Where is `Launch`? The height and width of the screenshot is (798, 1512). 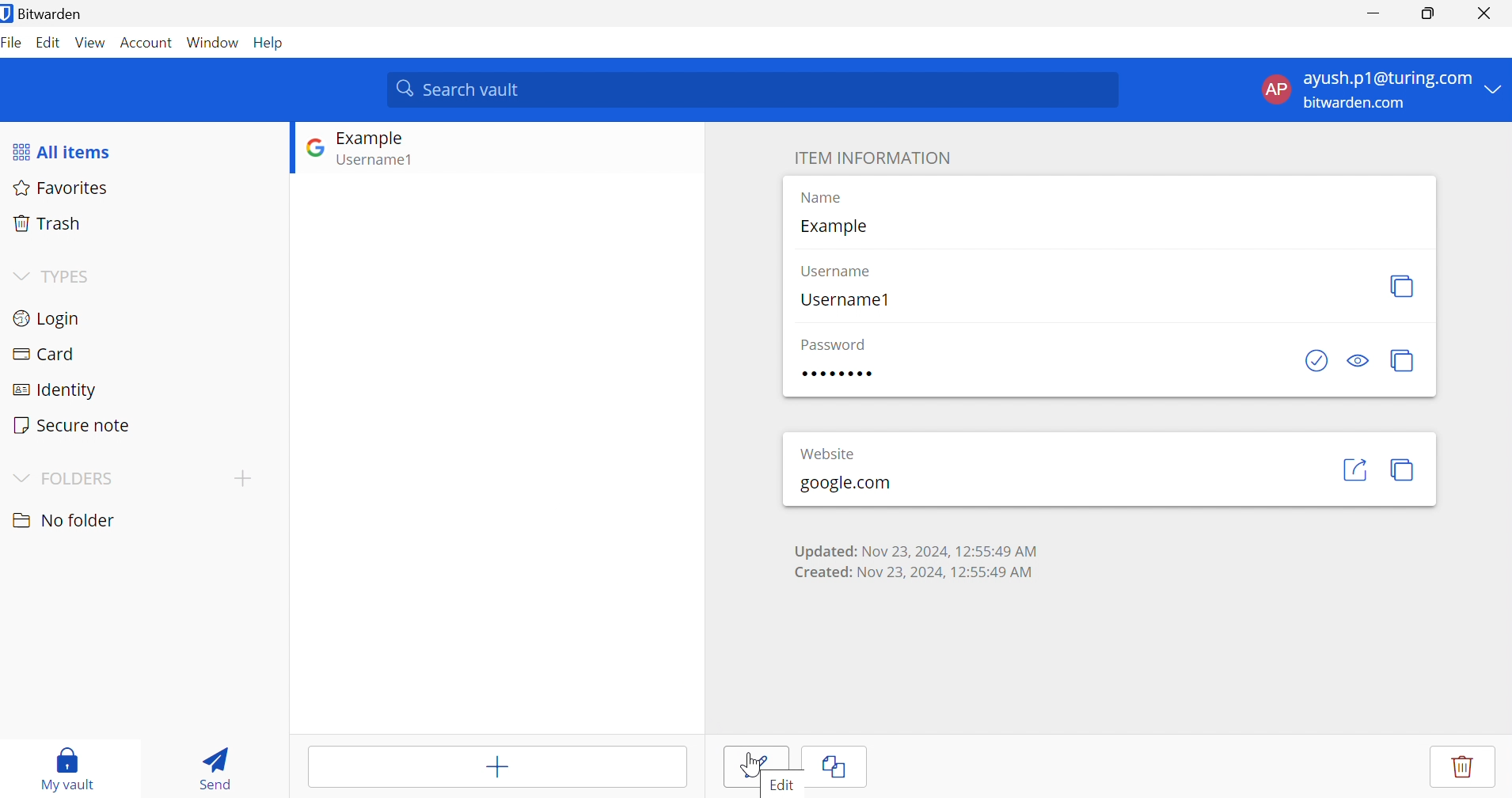 Launch is located at coordinates (1354, 469).